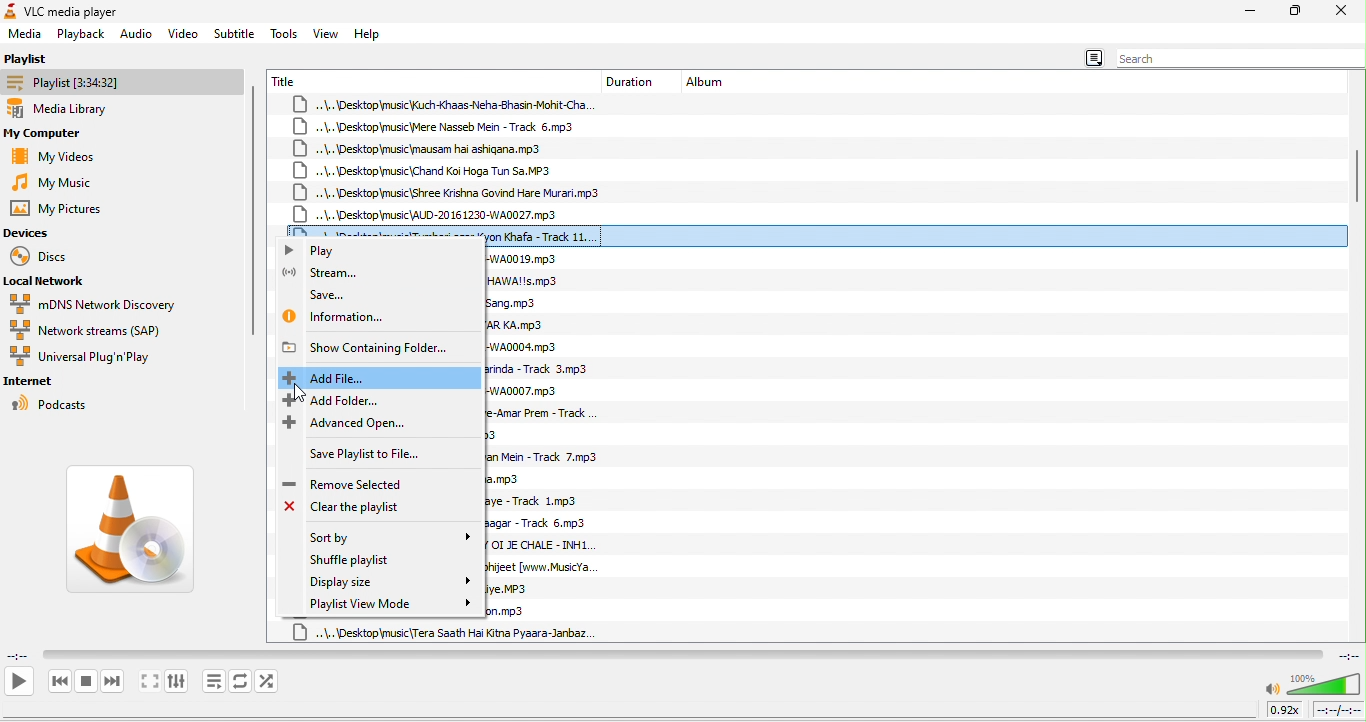  What do you see at coordinates (94, 303) in the screenshot?
I see `mdns network discovery` at bounding box center [94, 303].